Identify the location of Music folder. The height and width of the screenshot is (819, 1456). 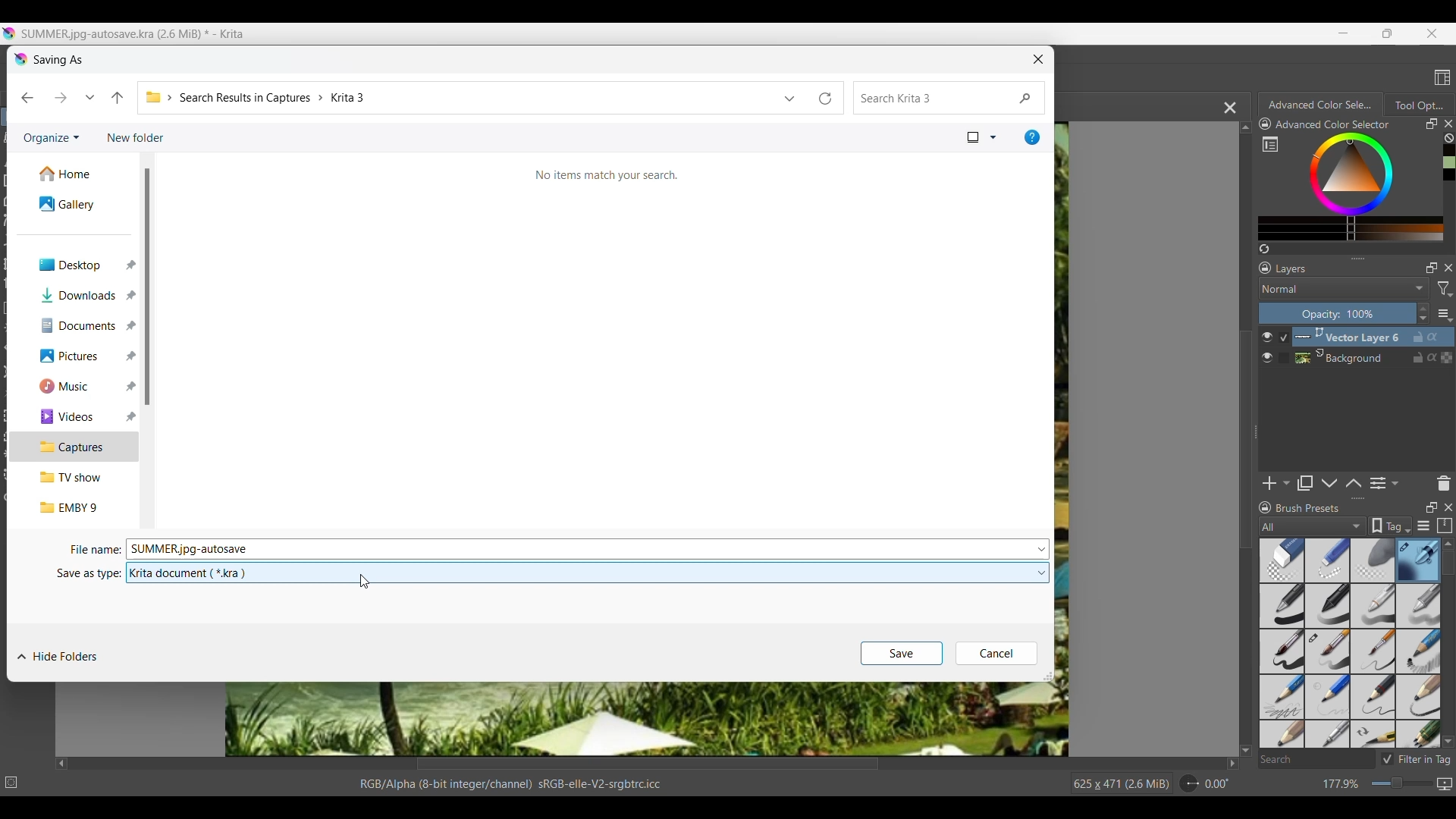
(74, 386).